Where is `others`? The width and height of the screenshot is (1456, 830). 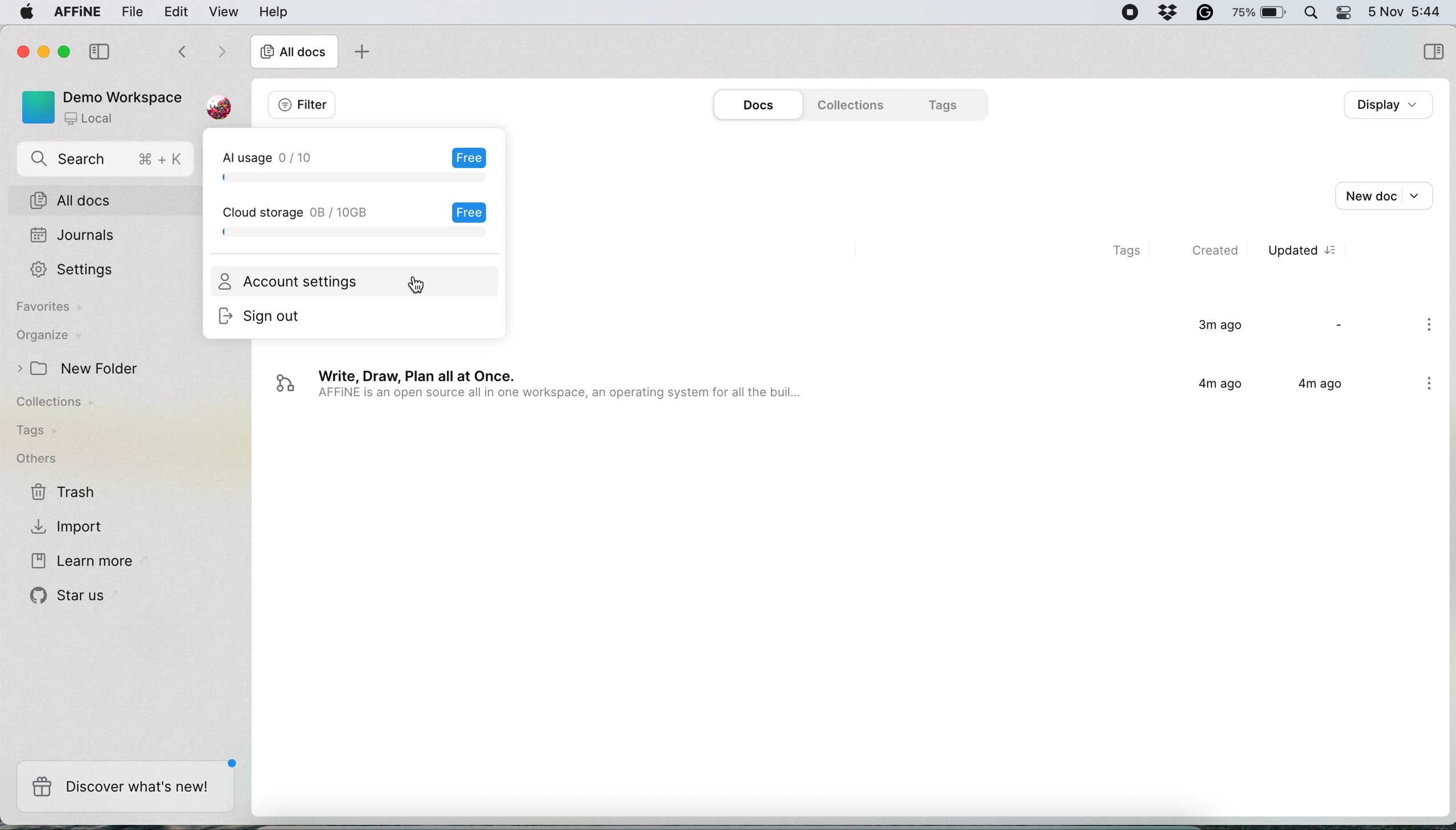
others is located at coordinates (36, 459).